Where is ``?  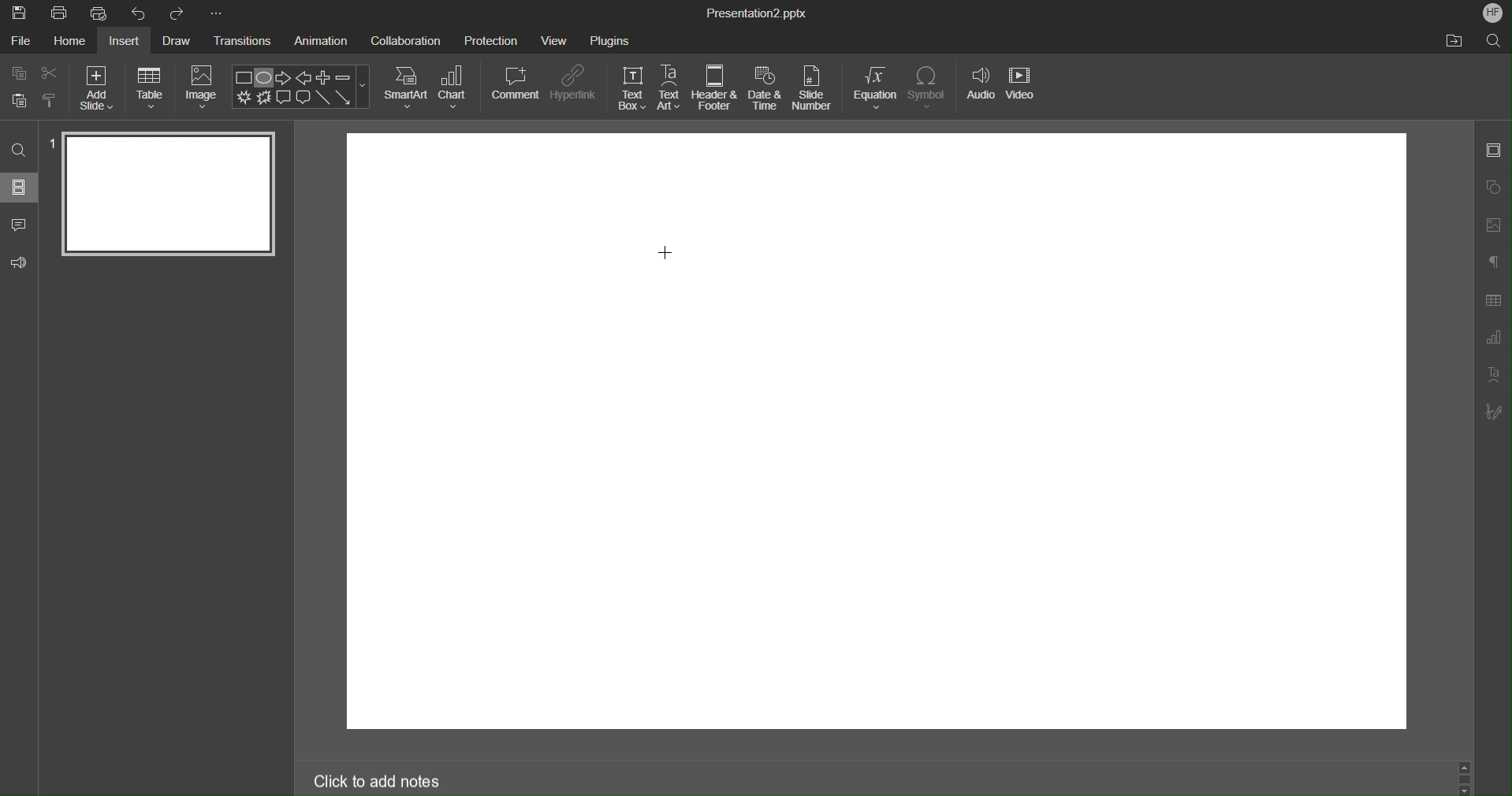
 is located at coordinates (20, 99).